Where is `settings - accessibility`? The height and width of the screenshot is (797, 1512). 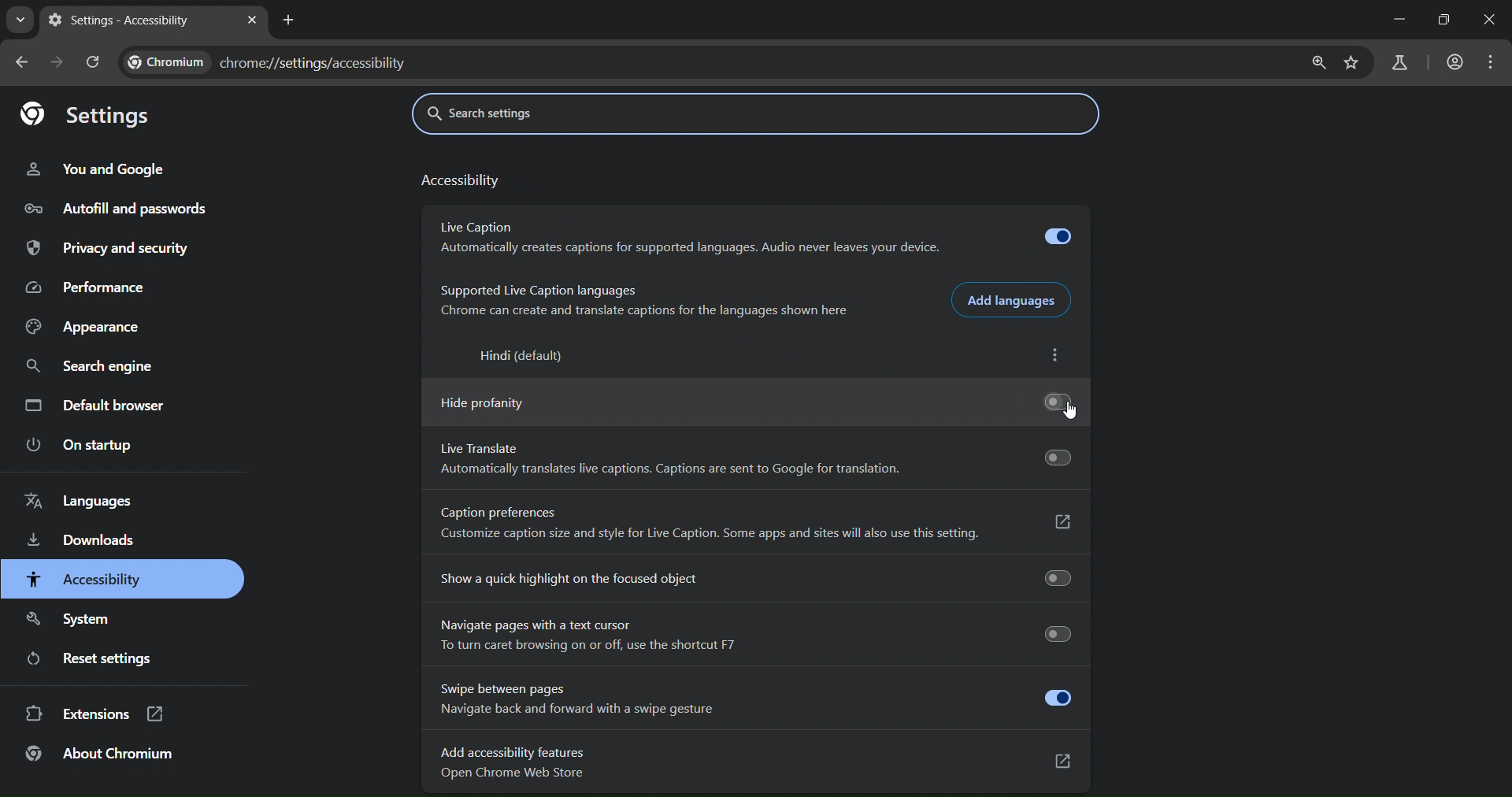
settings - accessibility is located at coordinates (128, 23).